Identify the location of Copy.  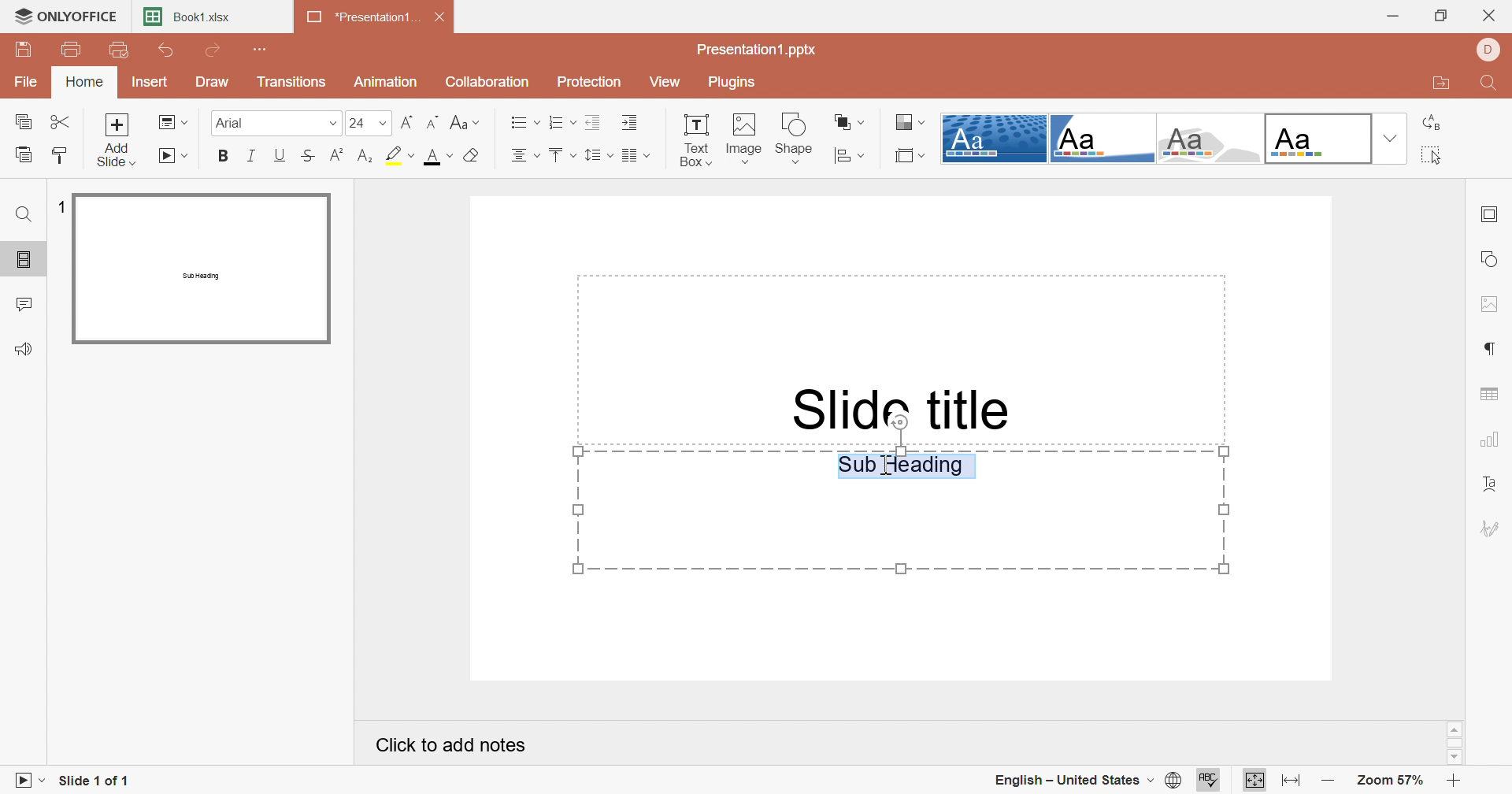
(24, 119).